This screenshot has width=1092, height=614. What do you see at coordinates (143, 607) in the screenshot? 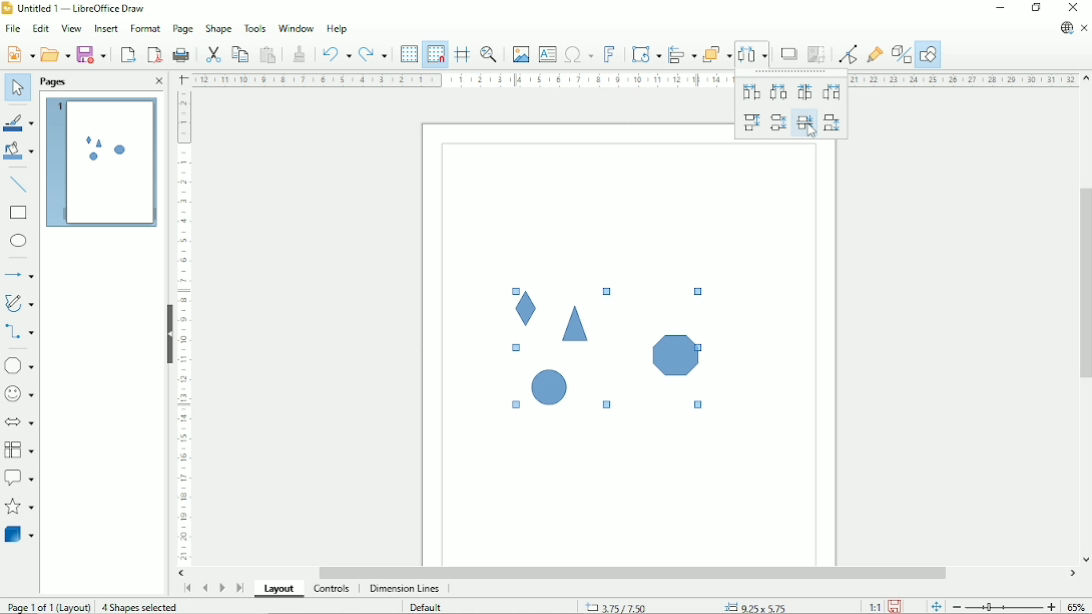
I see `4 shapes selected` at bounding box center [143, 607].